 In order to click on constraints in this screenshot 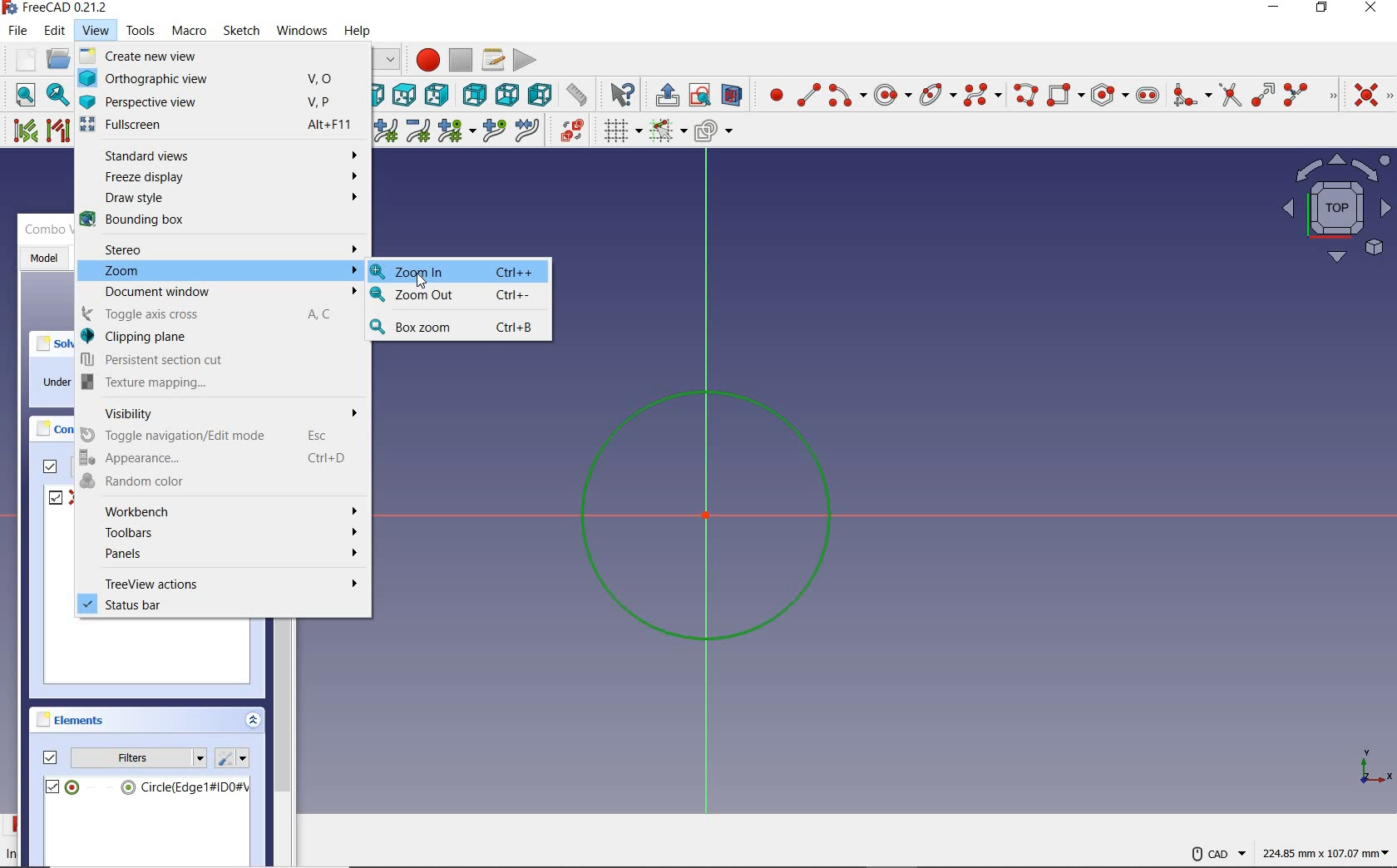, I will do `click(52, 430)`.